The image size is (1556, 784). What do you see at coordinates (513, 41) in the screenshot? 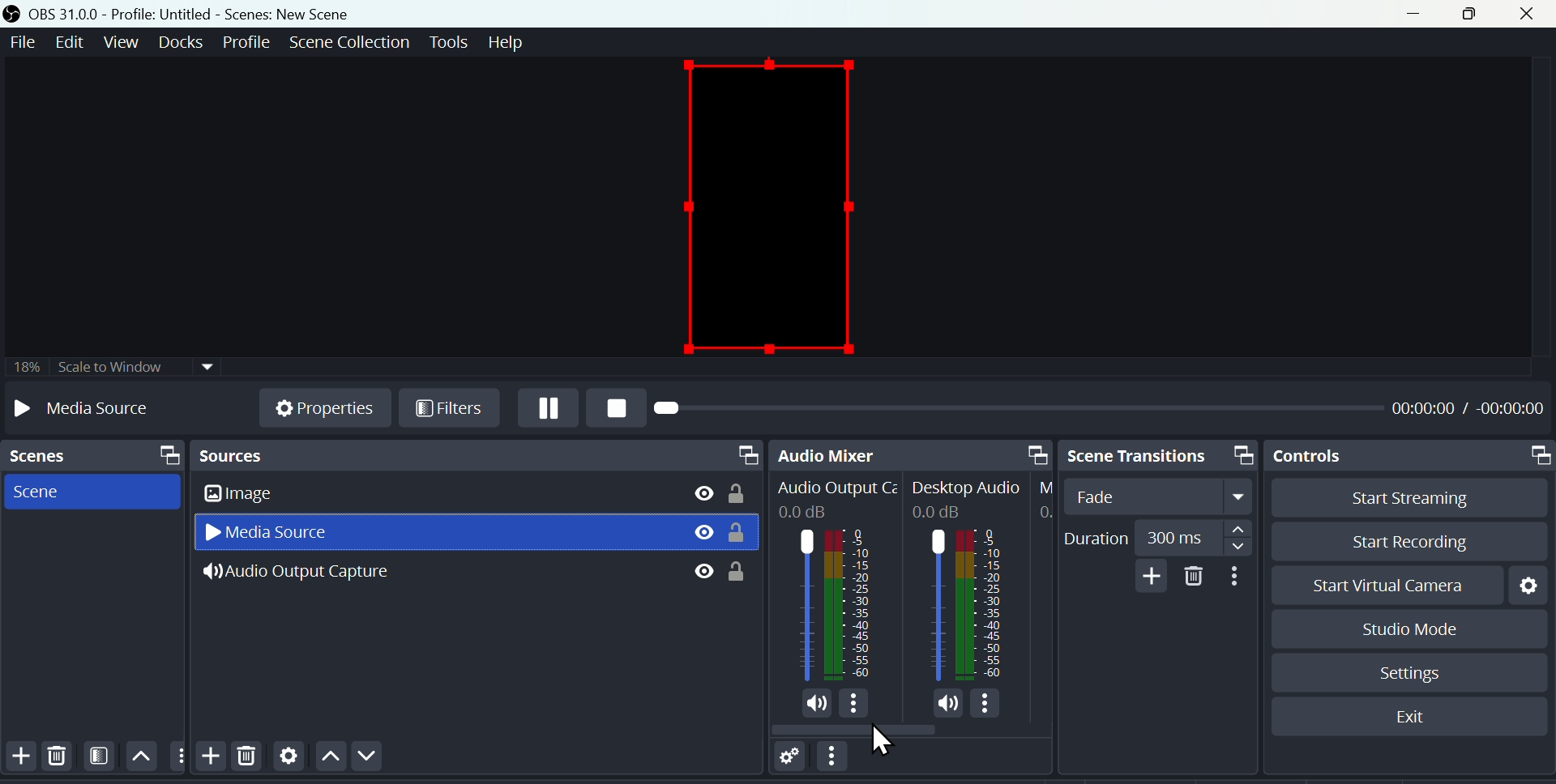
I see `Help` at bounding box center [513, 41].